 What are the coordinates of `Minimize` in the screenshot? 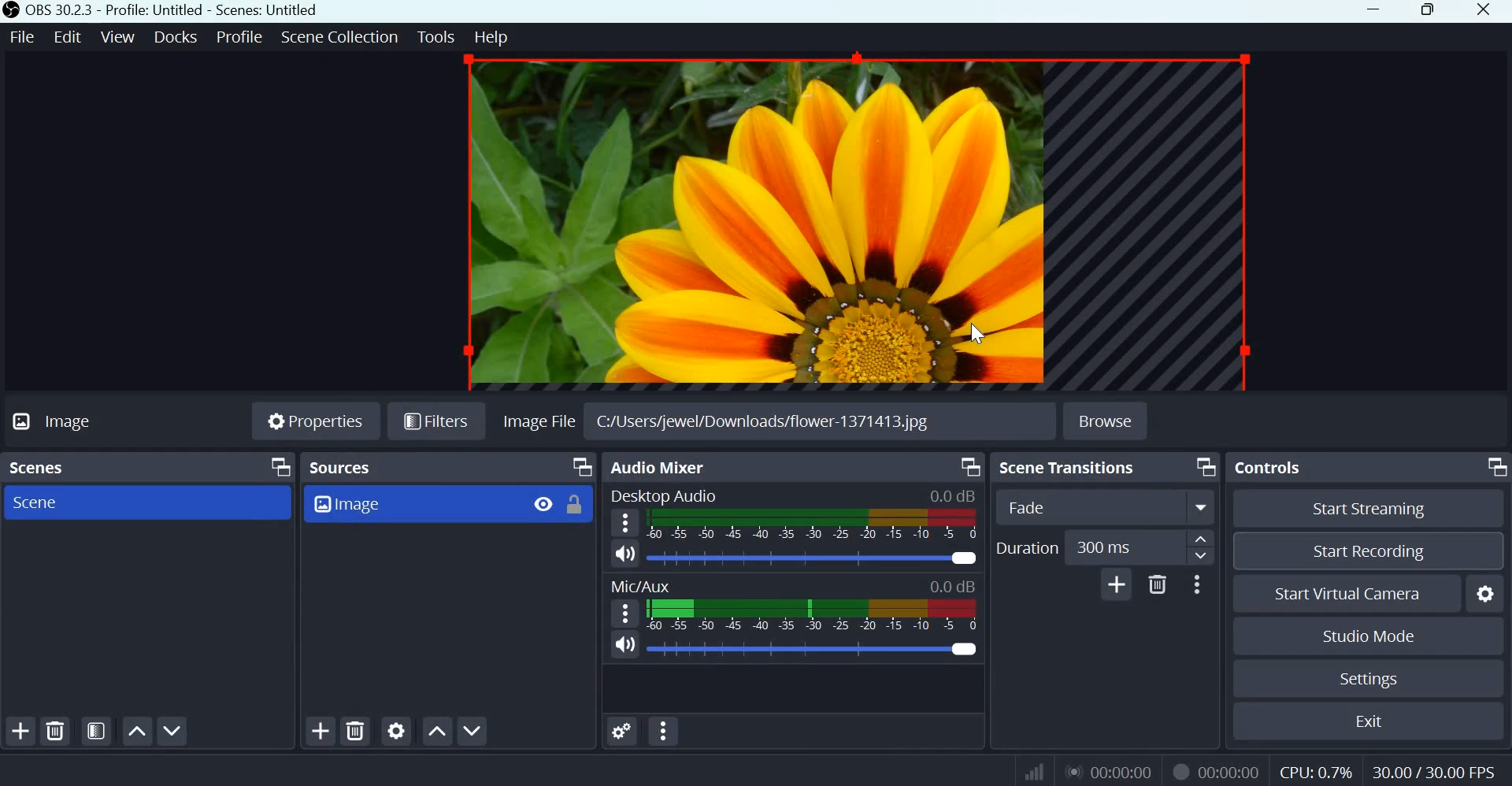 It's located at (1376, 11).